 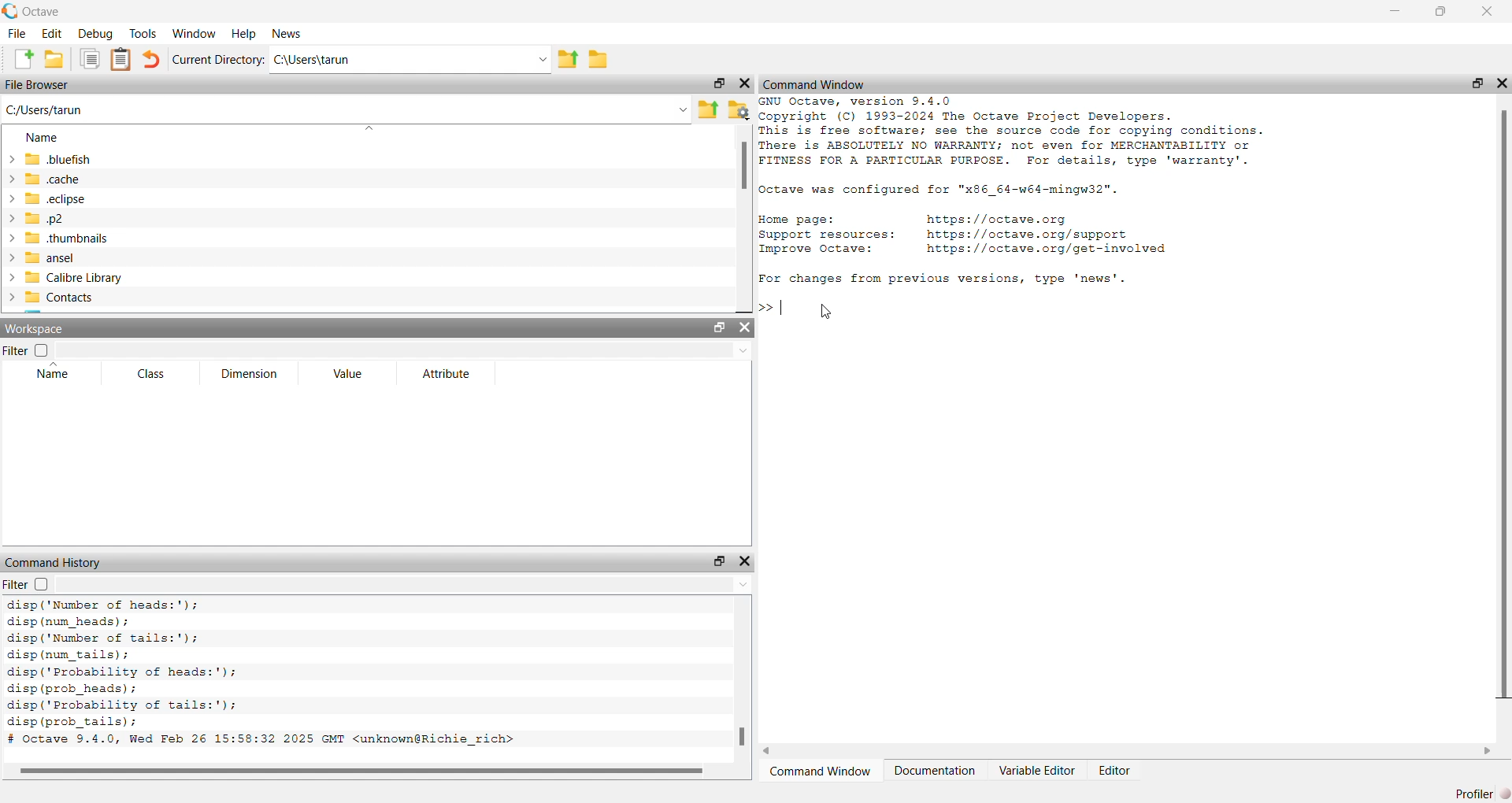 I want to click on Name, so click(x=49, y=375).